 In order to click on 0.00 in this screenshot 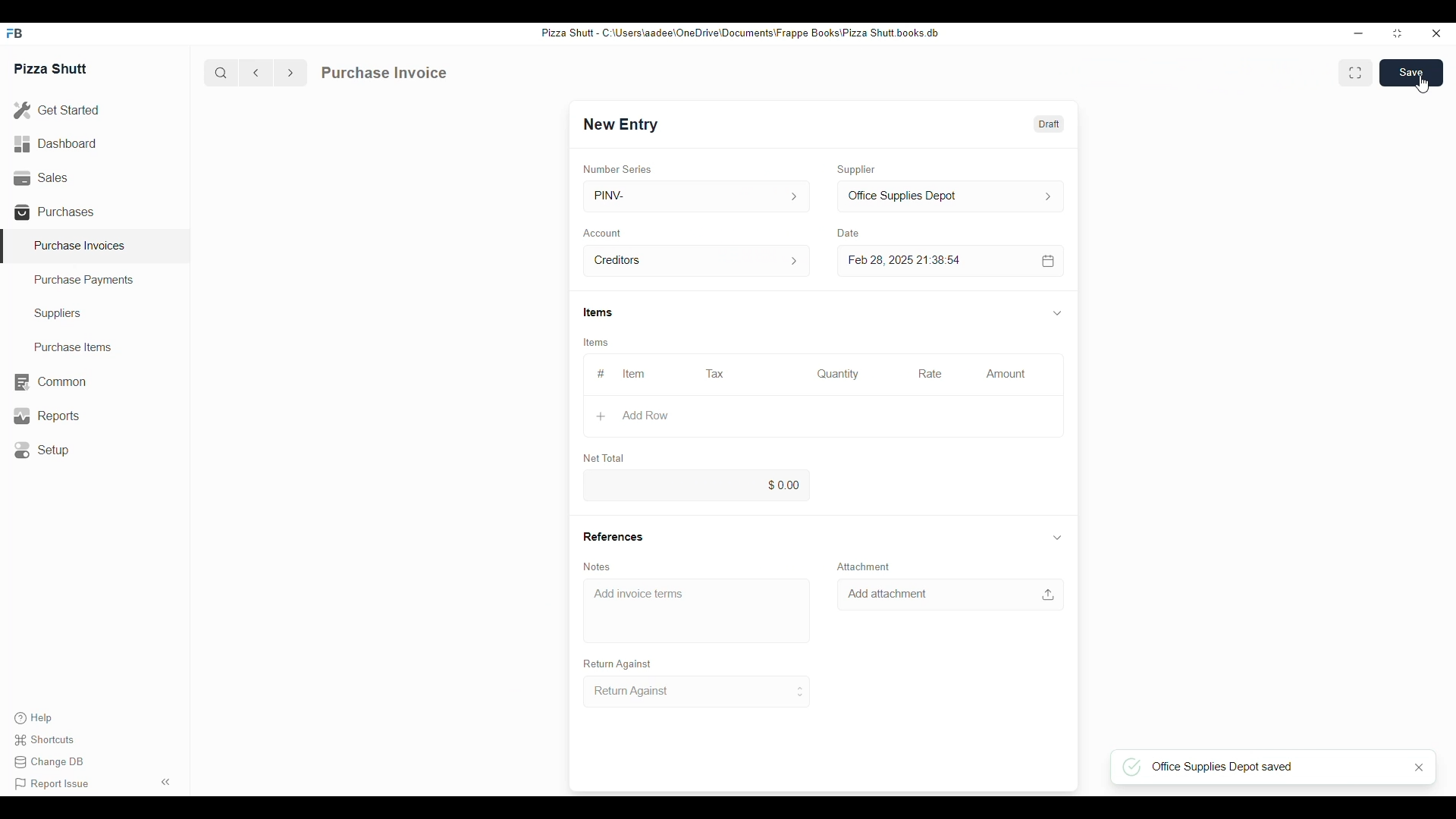, I will do `click(697, 485)`.